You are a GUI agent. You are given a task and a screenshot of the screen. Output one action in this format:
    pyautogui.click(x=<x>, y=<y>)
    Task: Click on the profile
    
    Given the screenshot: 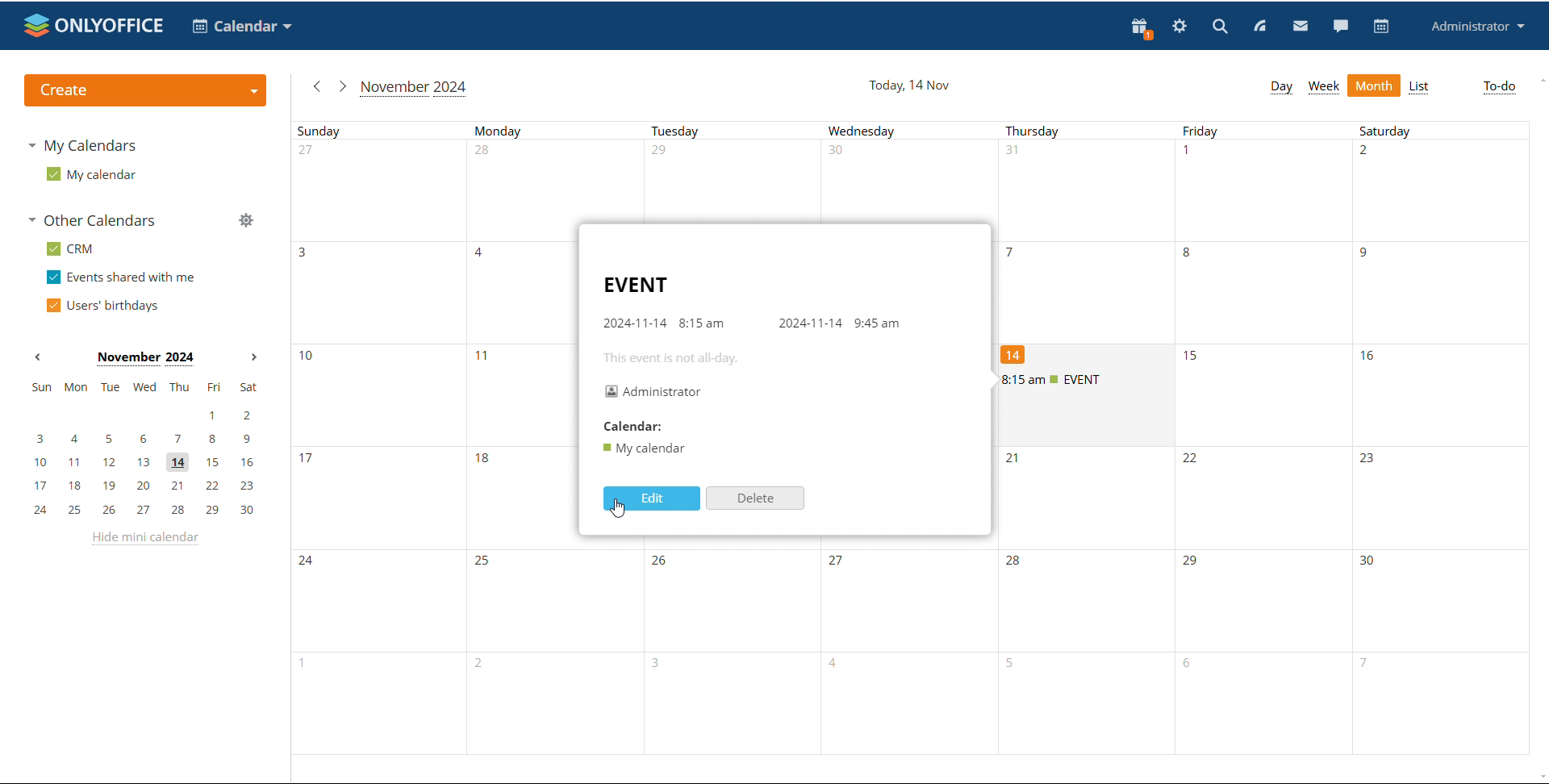 What is the action you would take?
    pyautogui.click(x=1475, y=27)
    